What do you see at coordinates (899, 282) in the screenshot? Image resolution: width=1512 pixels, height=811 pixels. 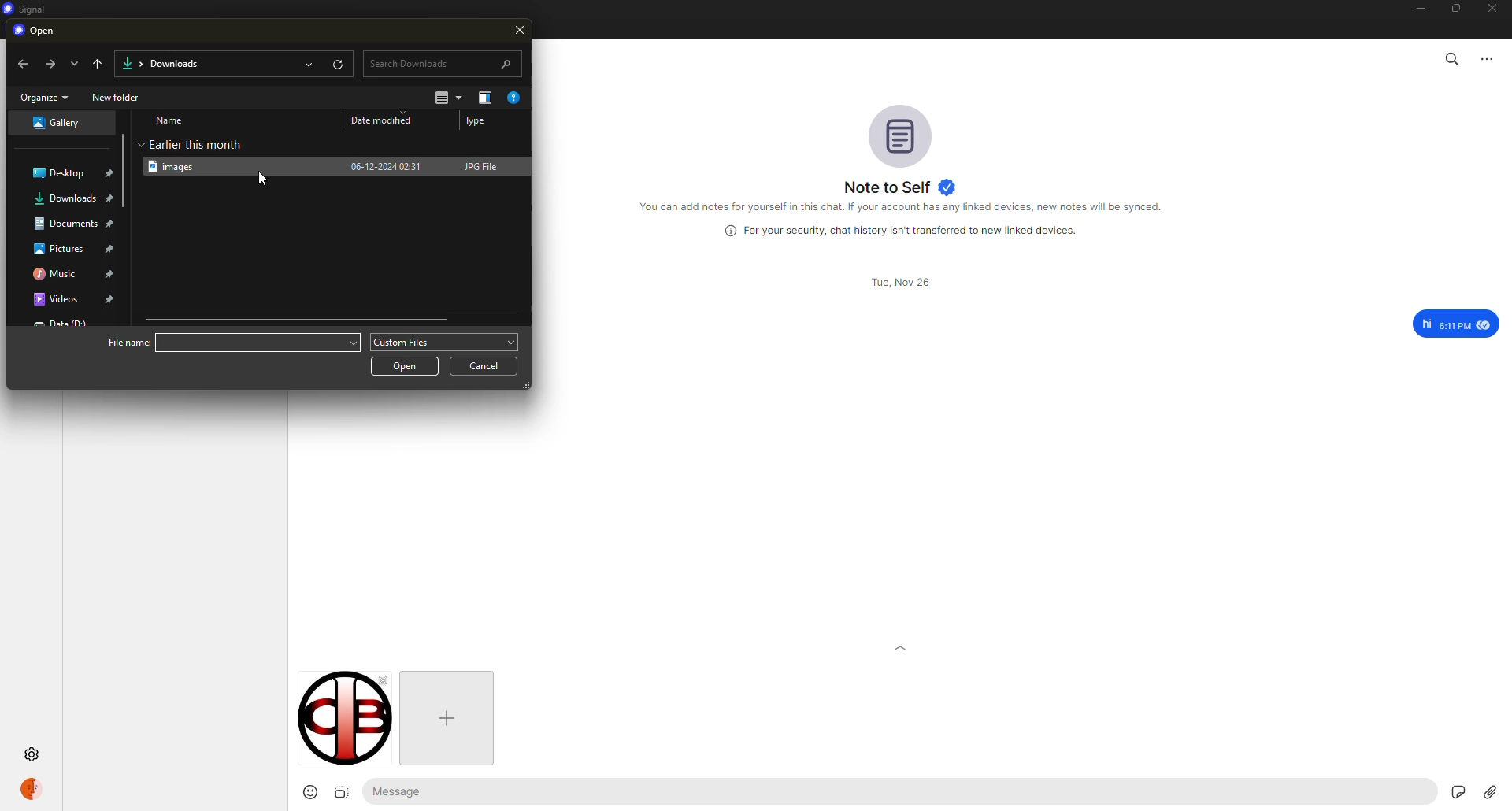 I see `date` at bounding box center [899, 282].